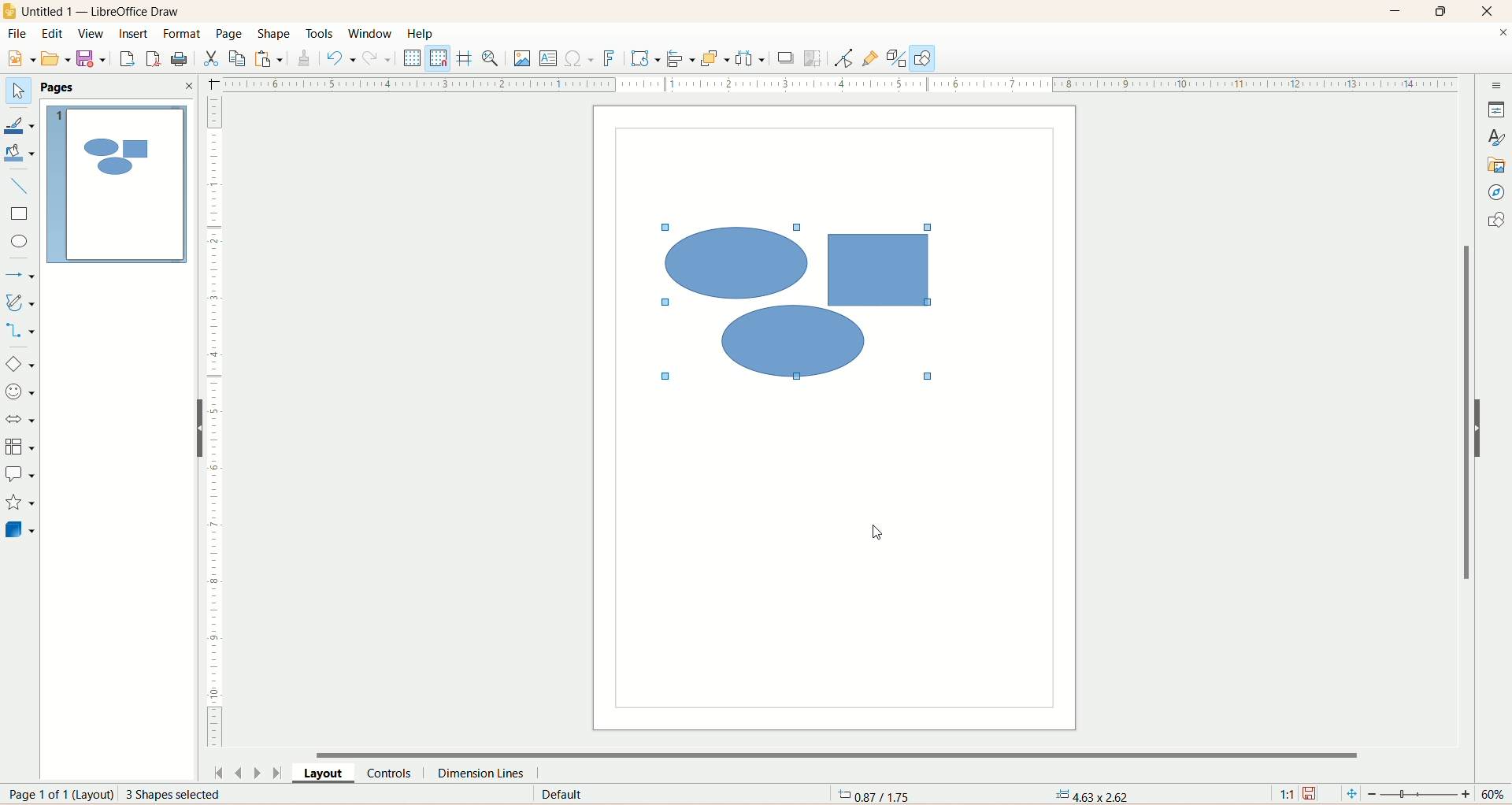 Image resolution: width=1512 pixels, height=805 pixels. Describe the element at coordinates (465, 59) in the screenshot. I see `helplines` at that location.